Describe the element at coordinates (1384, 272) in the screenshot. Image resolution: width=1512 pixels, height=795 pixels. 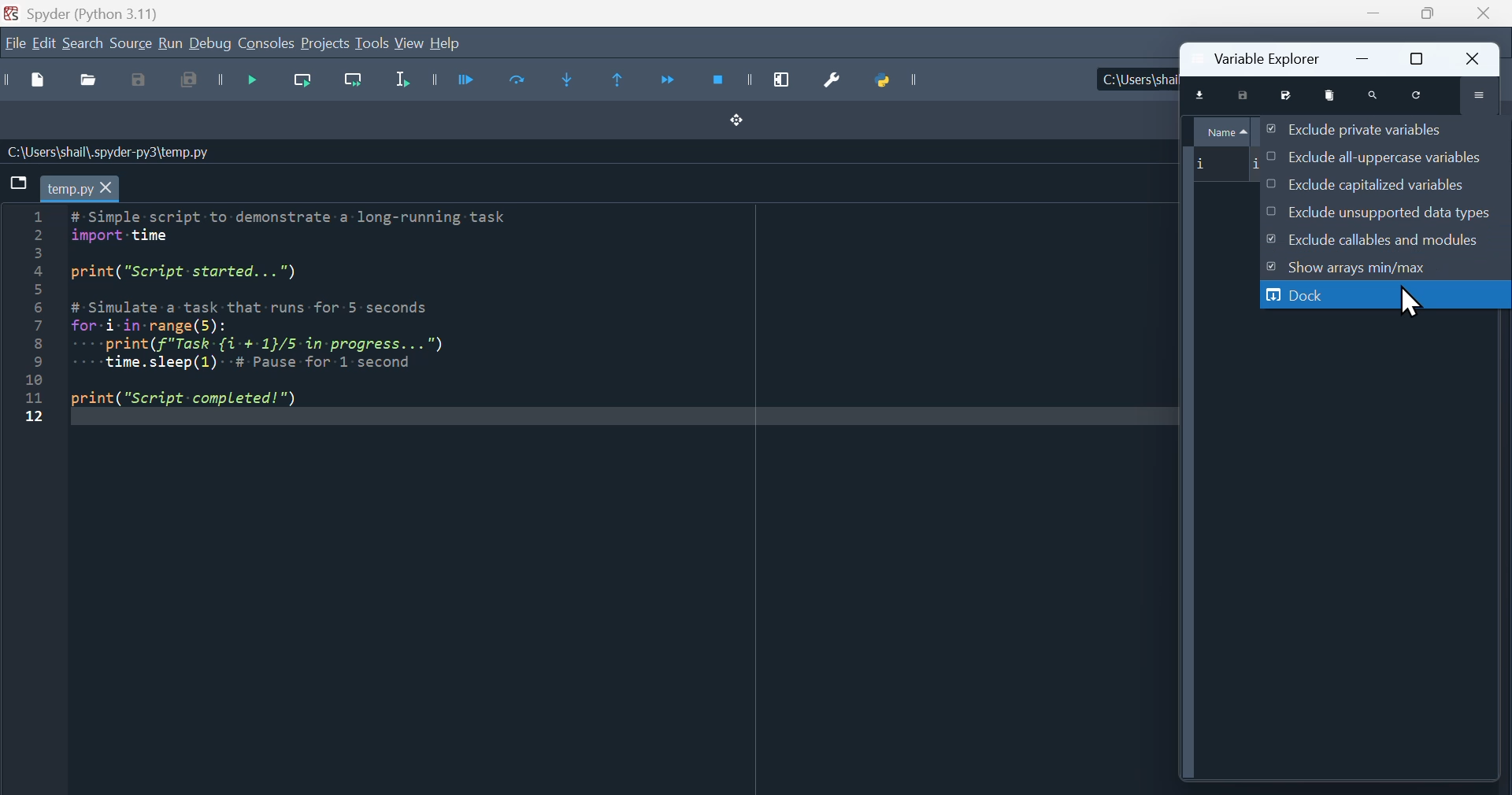
I see `show Arrays Min/Max` at that location.